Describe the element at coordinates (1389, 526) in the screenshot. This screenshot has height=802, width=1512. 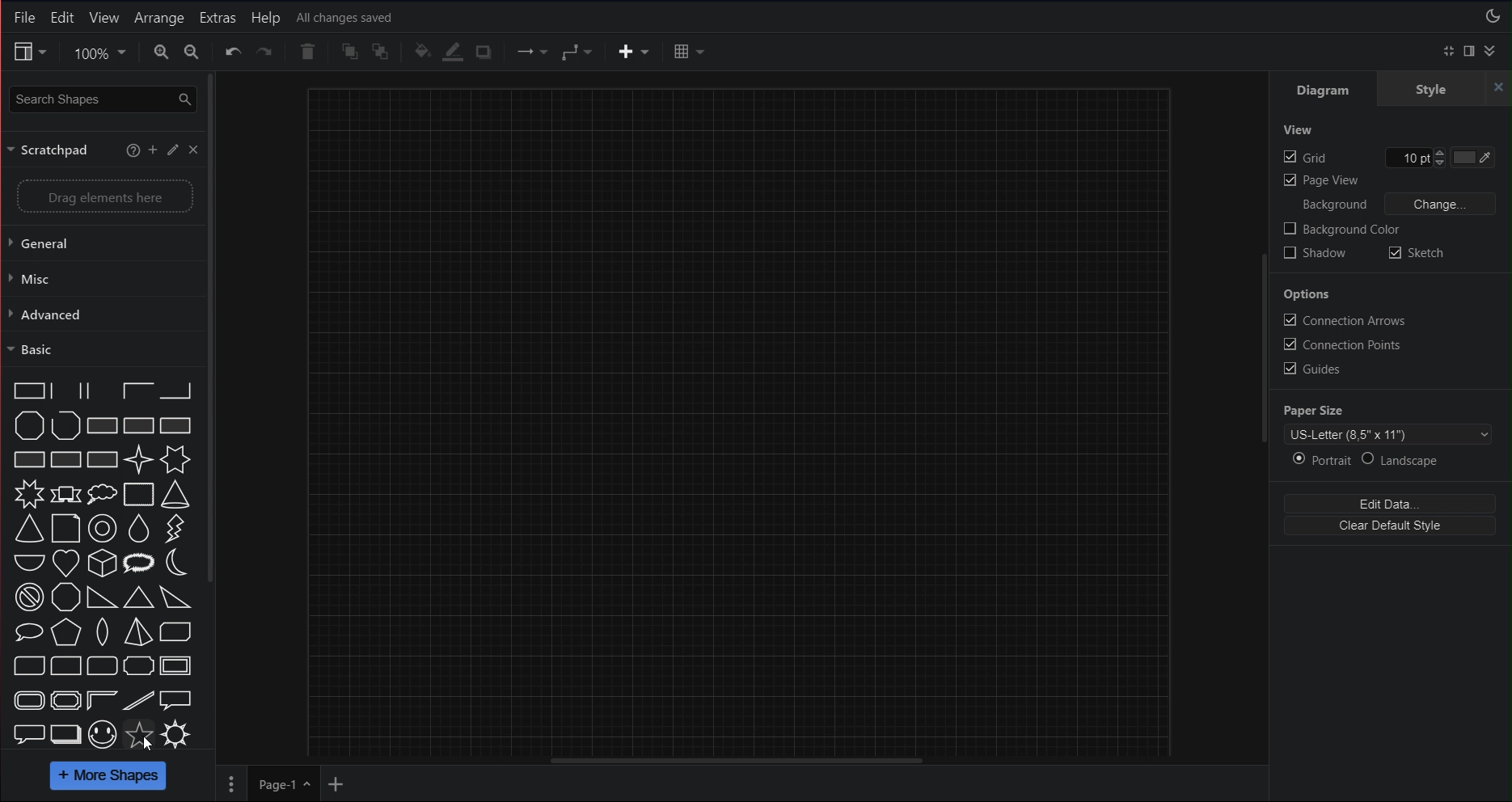
I see `Clear Default Style` at that location.